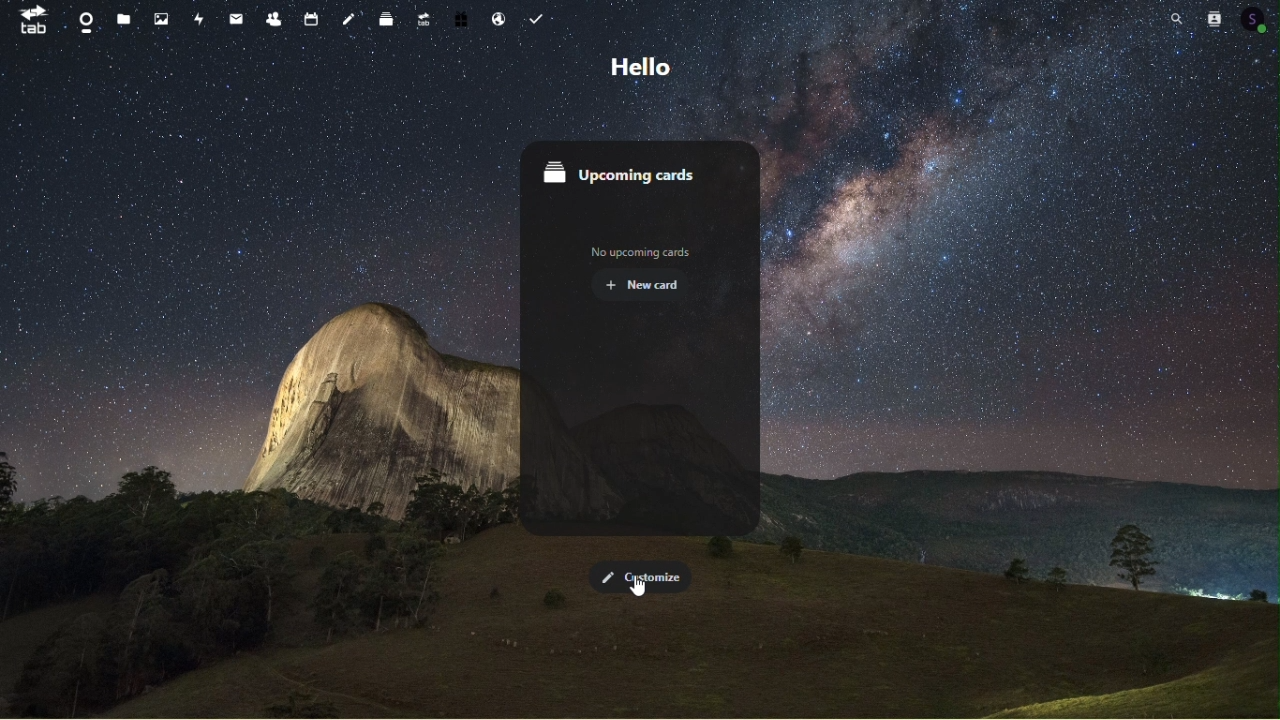 Image resolution: width=1280 pixels, height=720 pixels. Describe the element at coordinates (79, 19) in the screenshot. I see `Dashboard` at that location.